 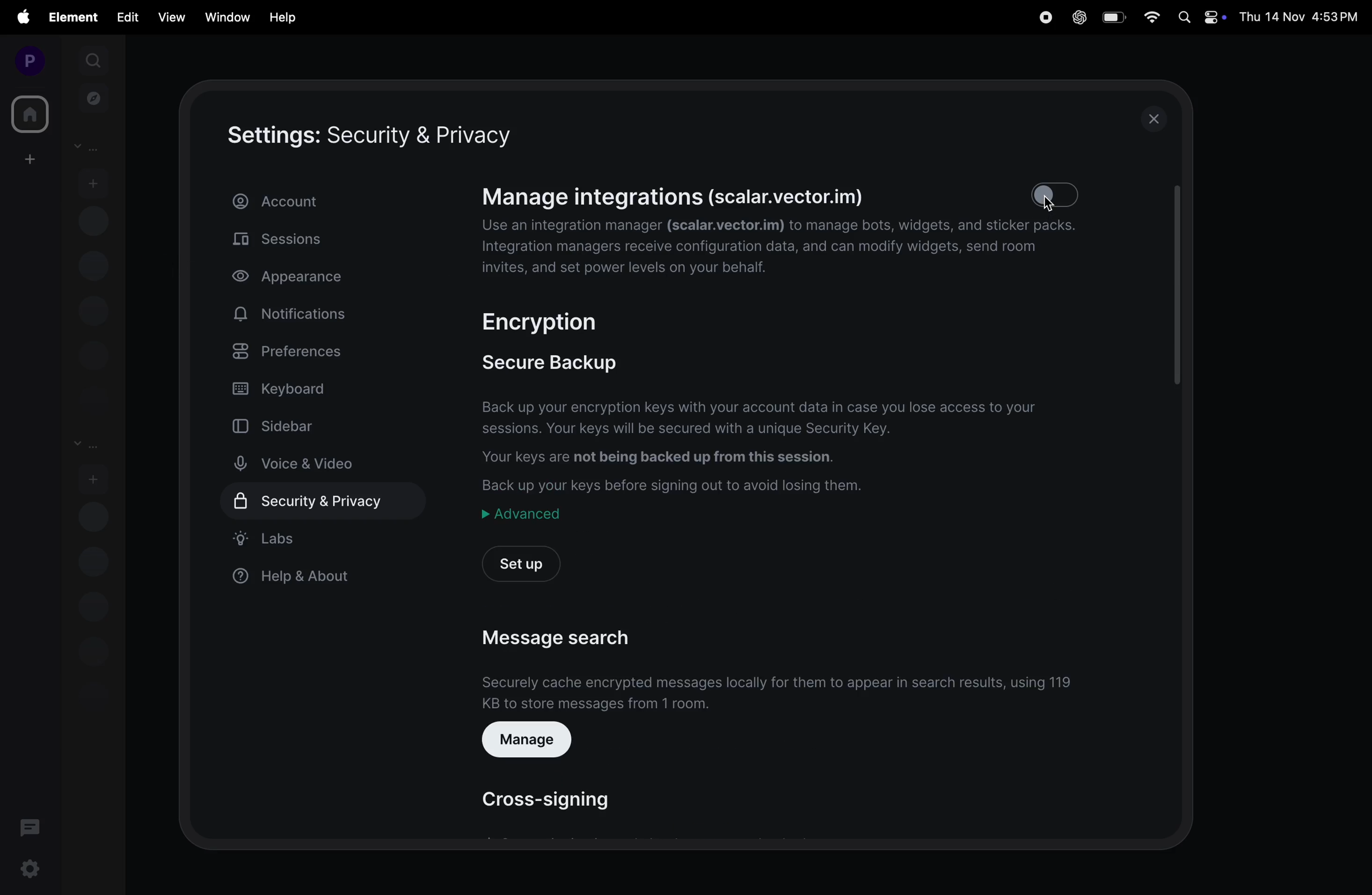 What do you see at coordinates (1077, 17) in the screenshot?
I see `chat gpt` at bounding box center [1077, 17].